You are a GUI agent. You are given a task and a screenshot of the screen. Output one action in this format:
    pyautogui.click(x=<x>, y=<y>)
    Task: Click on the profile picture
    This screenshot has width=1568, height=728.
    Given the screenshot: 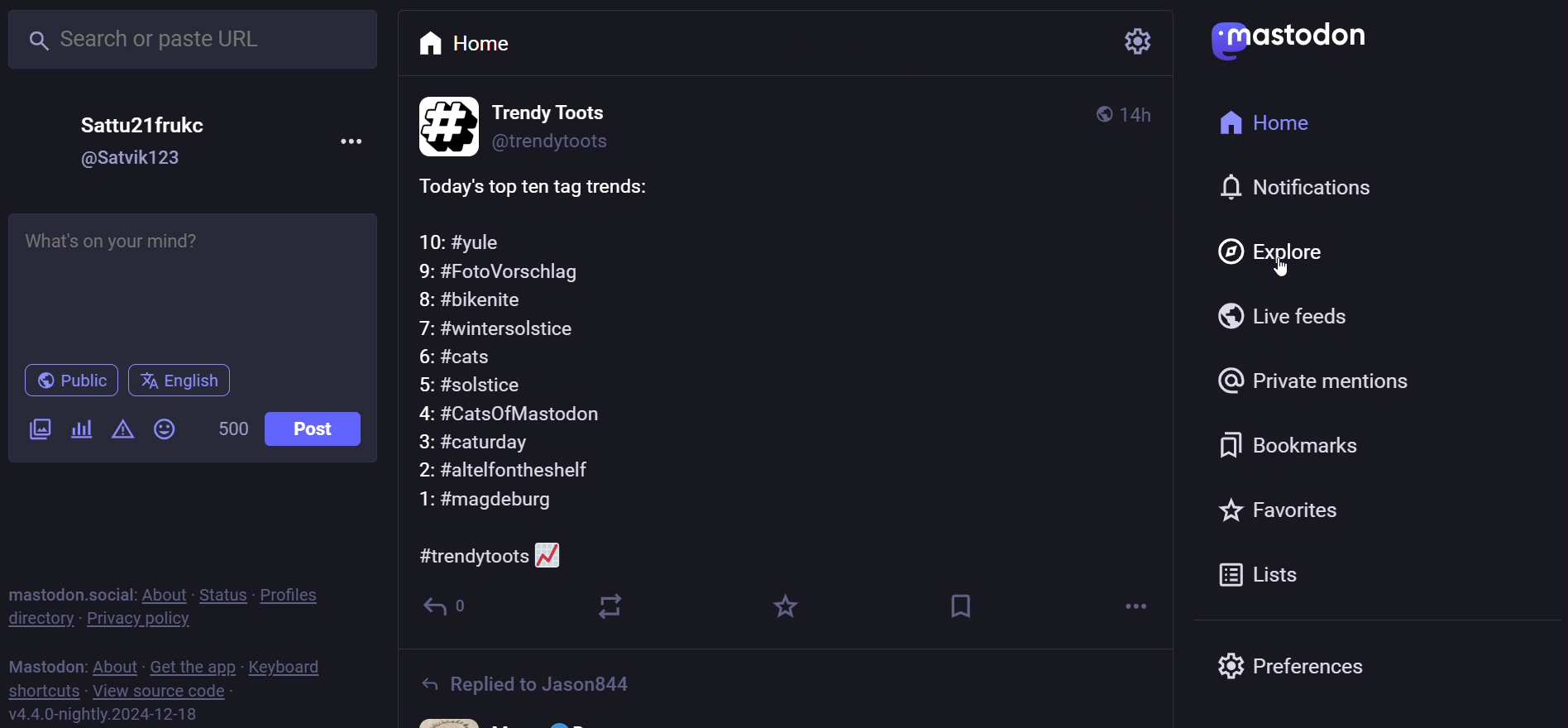 What is the action you would take?
    pyautogui.click(x=442, y=125)
    